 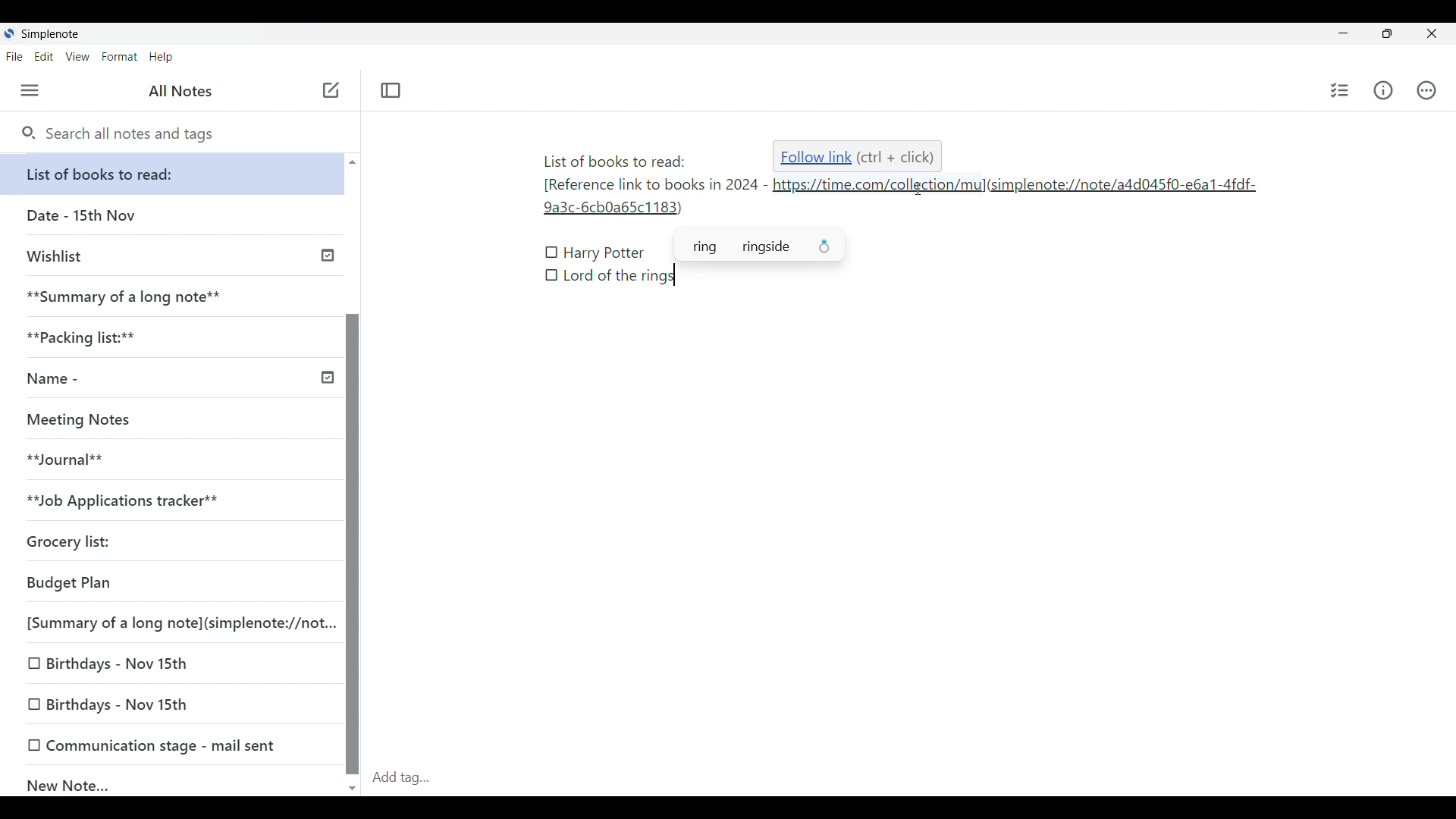 What do you see at coordinates (170, 584) in the screenshot?
I see `Budget Plan` at bounding box center [170, 584].